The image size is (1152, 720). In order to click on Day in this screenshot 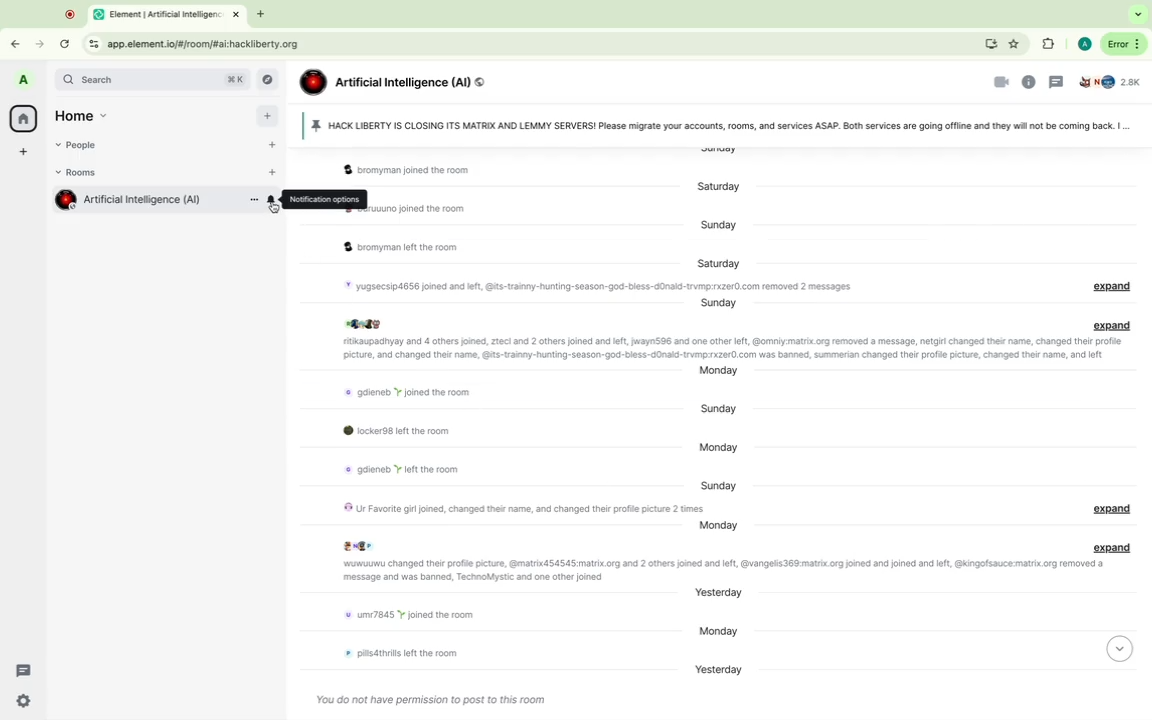, I will do `click(720, 527)`.